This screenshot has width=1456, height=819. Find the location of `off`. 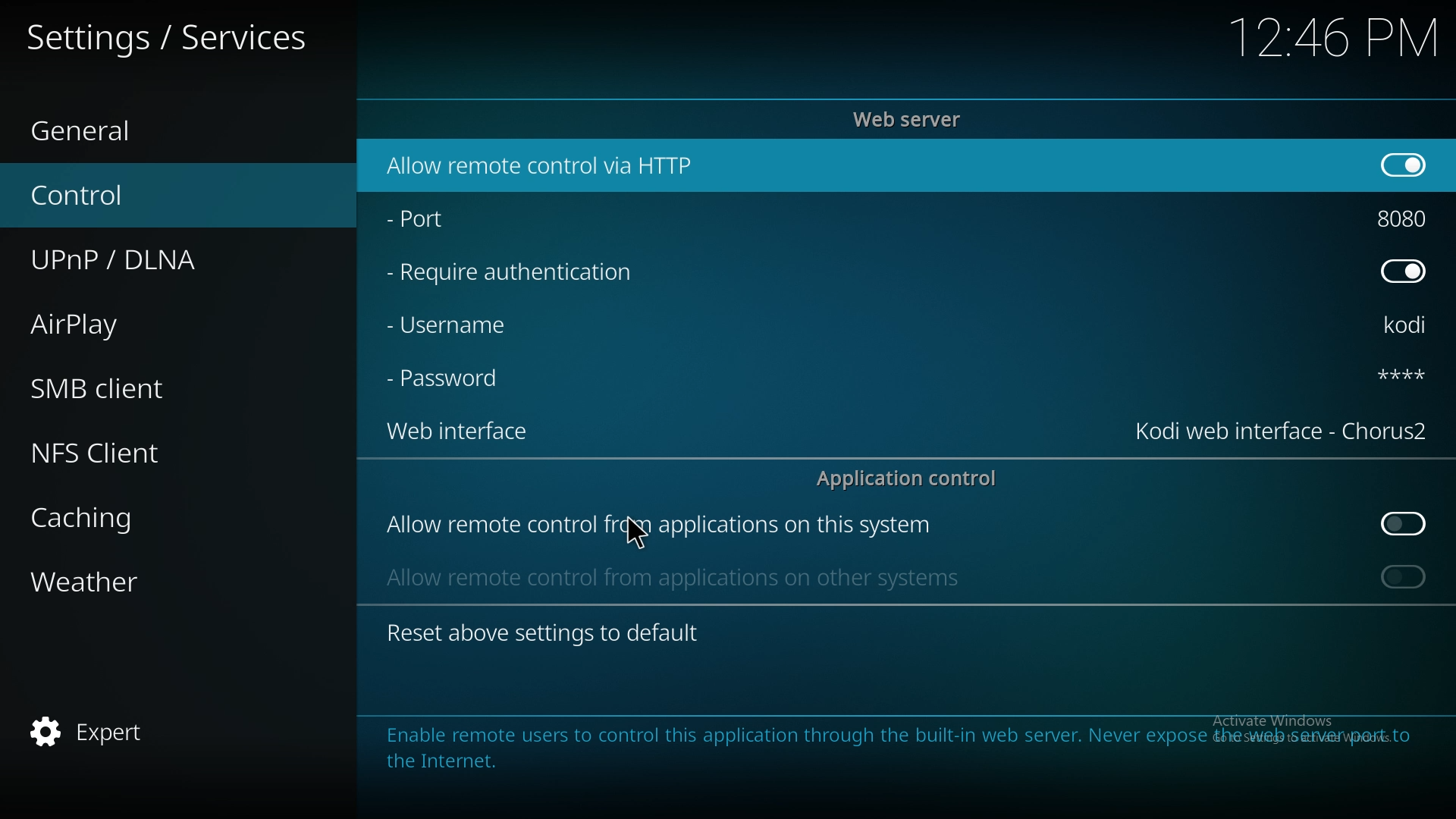

off is located at coordinates (1399, 163).